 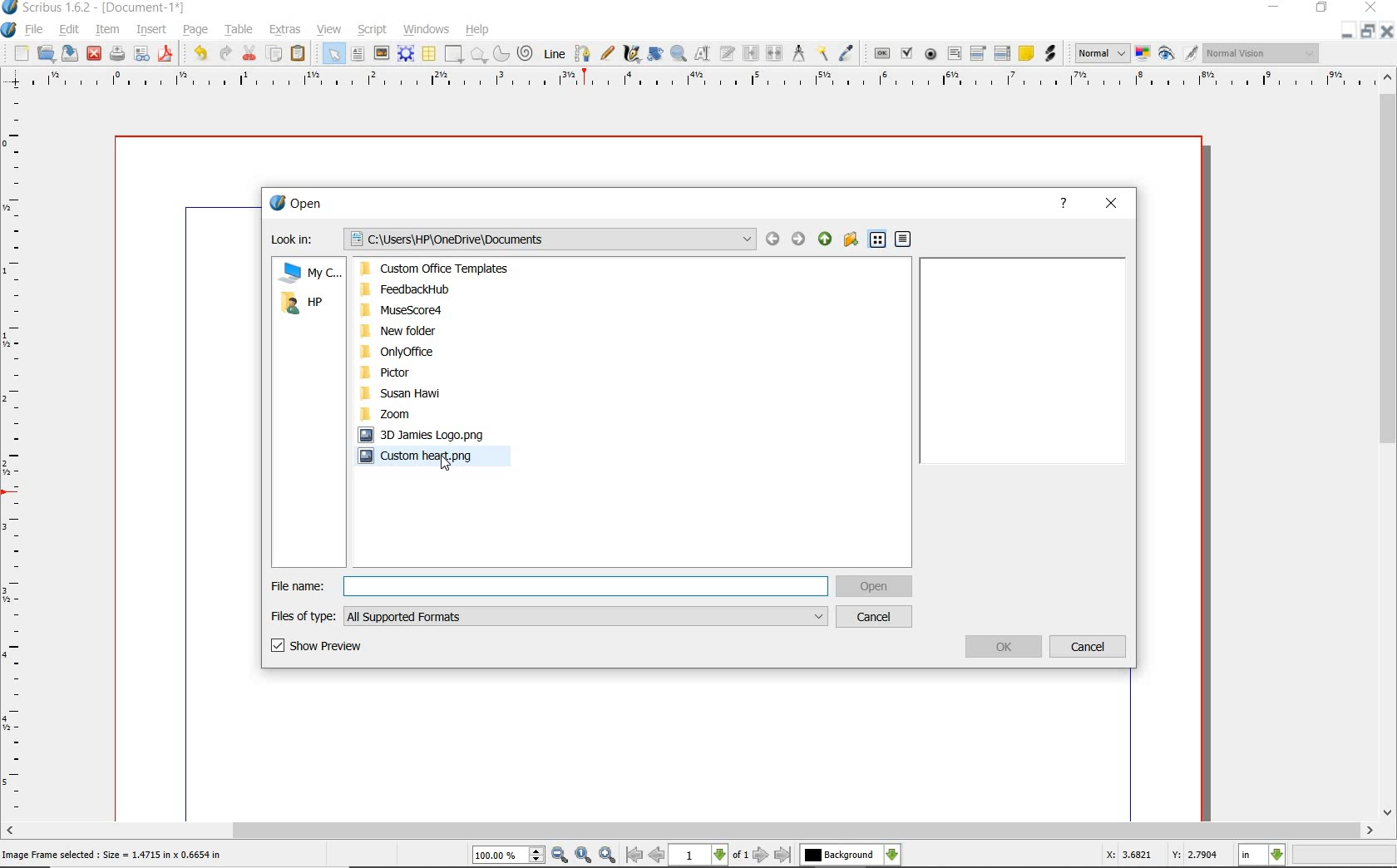 I want to click on help, so click(x=1066, y=203).